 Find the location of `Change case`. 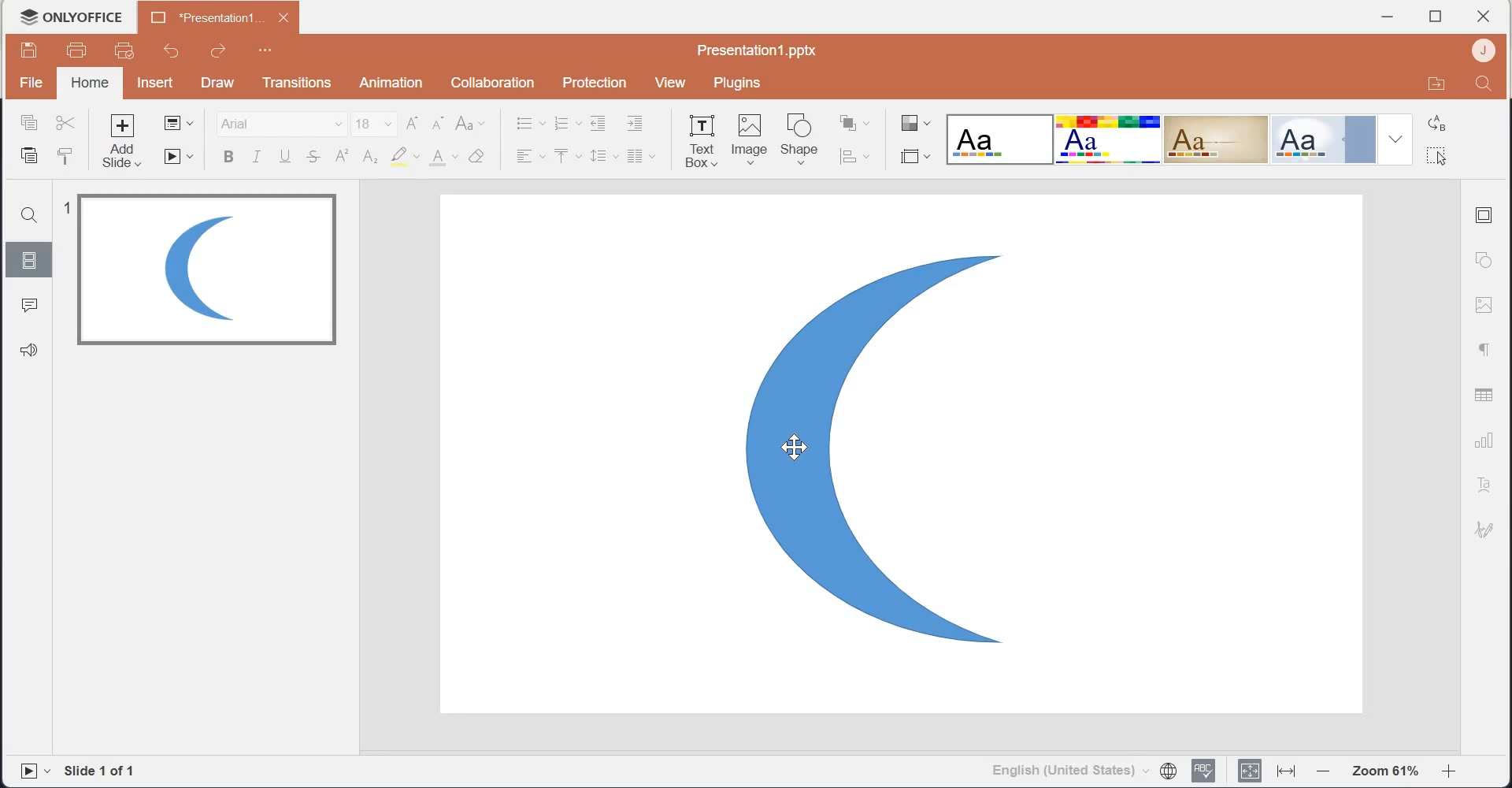

Change case is located at coordinates (470, 124).